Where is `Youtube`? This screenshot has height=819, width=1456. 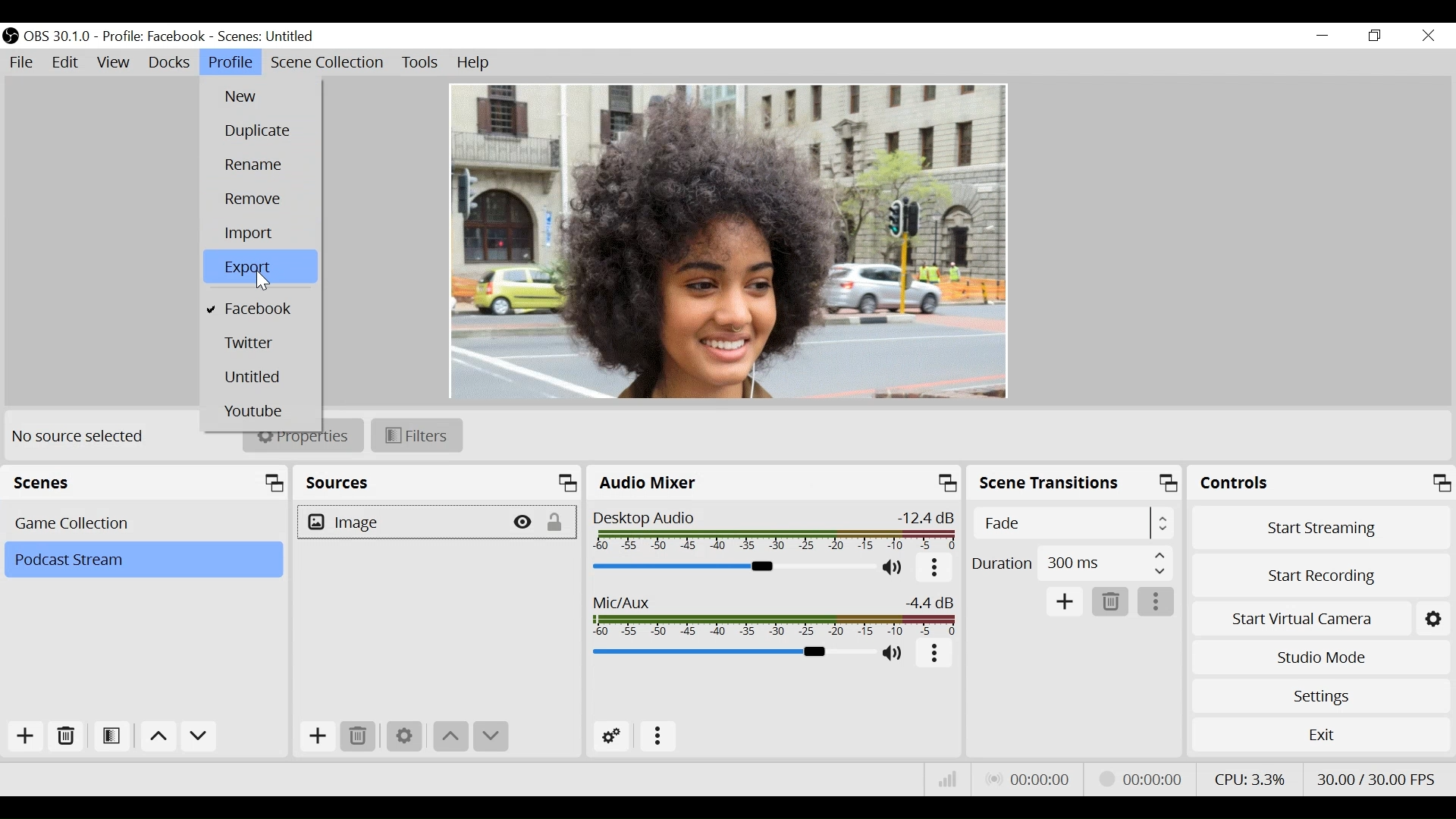 Youtube is located at coordinates (257, 414).